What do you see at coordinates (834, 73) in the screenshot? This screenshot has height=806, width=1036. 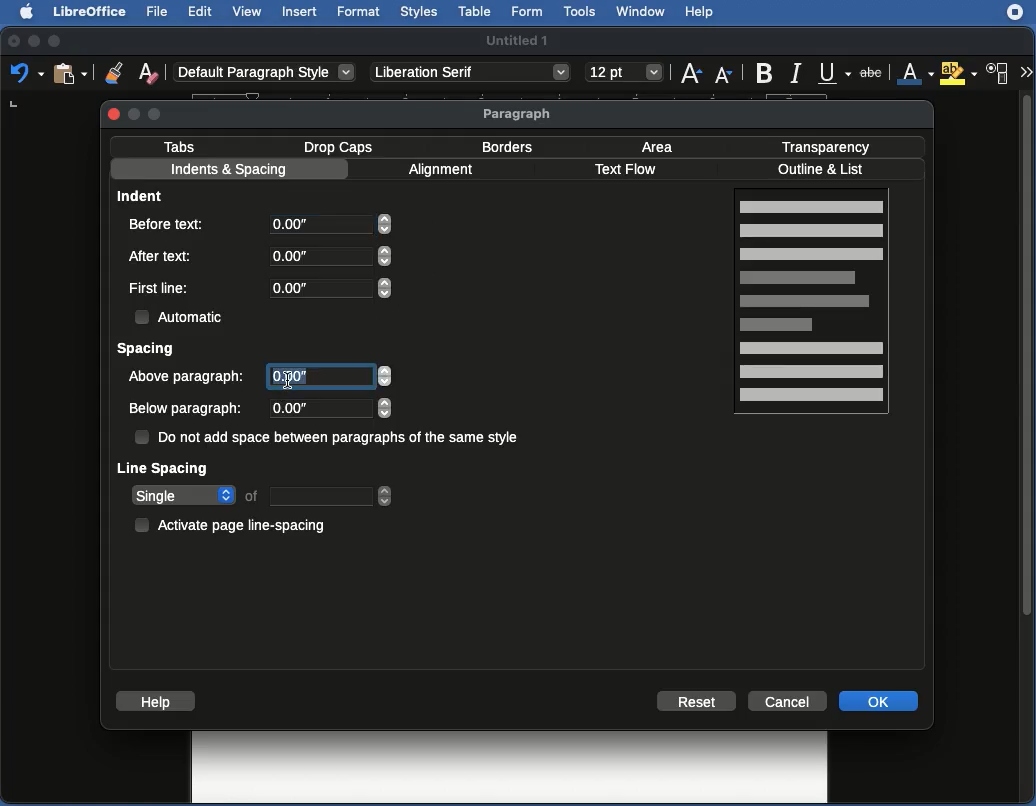 I see `Underline` at bounding box center [834, 73].